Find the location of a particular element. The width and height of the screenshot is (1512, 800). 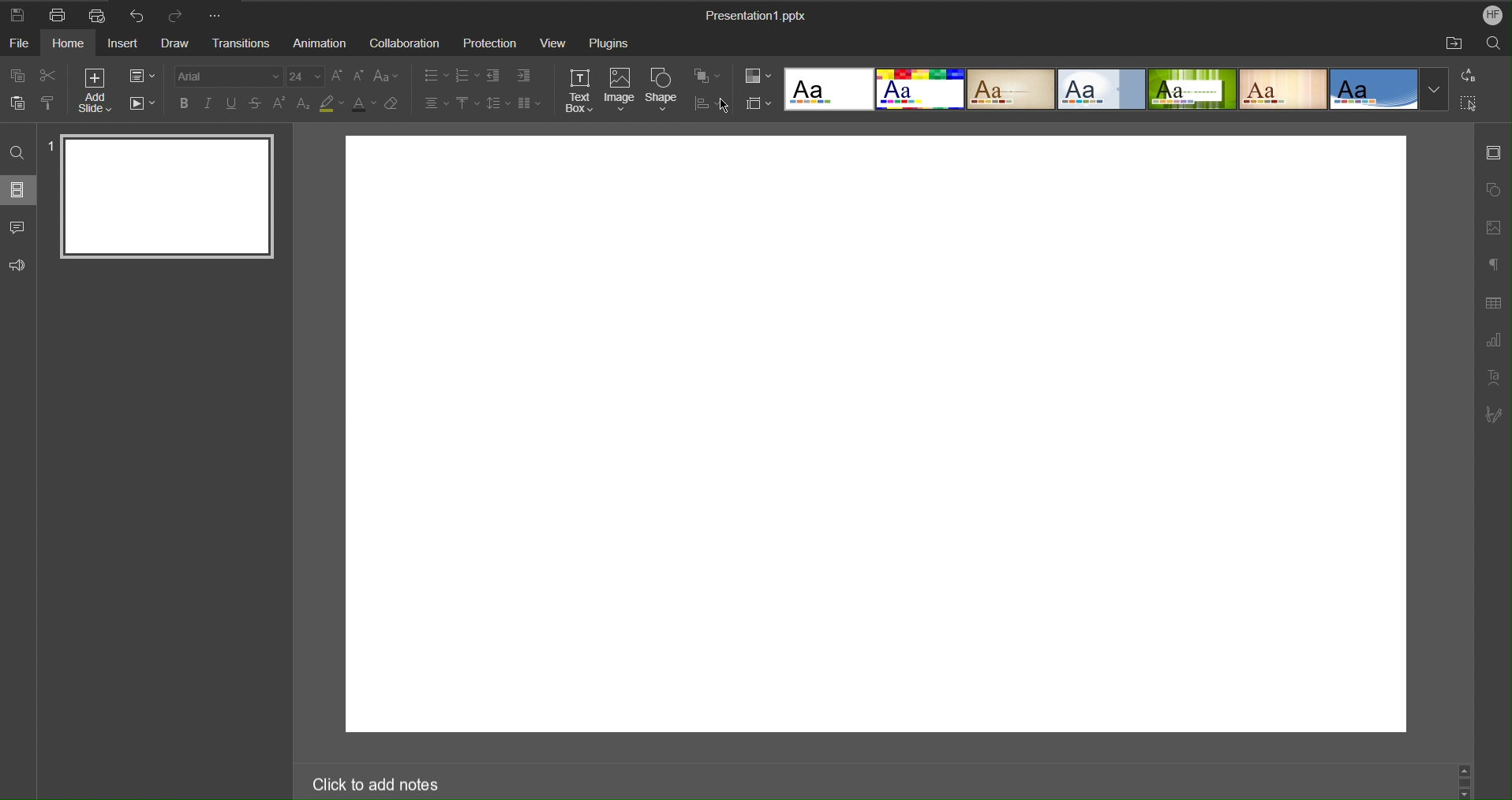

Font size is located at coordinates (305, 76).